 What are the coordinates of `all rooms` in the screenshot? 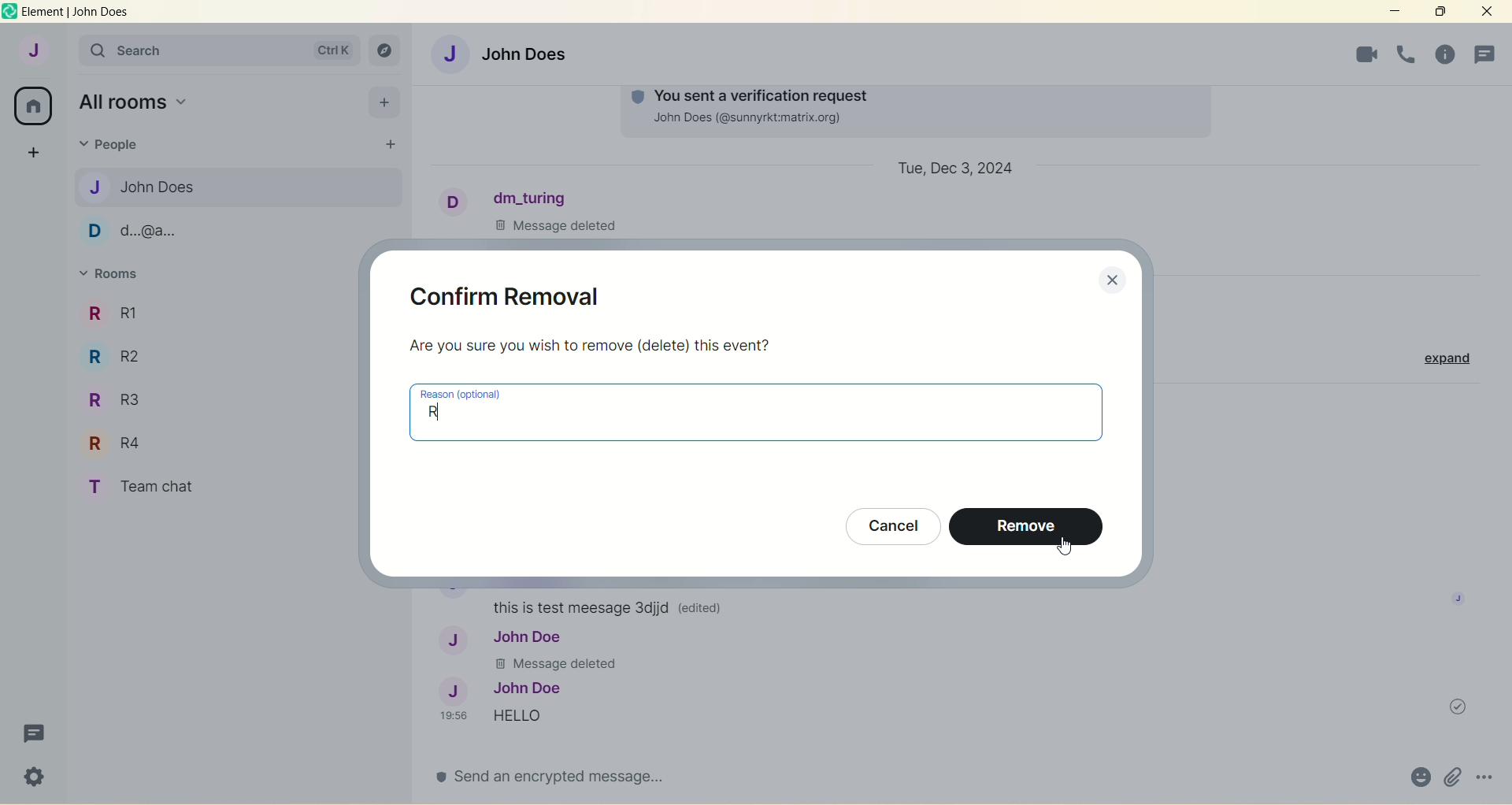 It's located at (35, 105).